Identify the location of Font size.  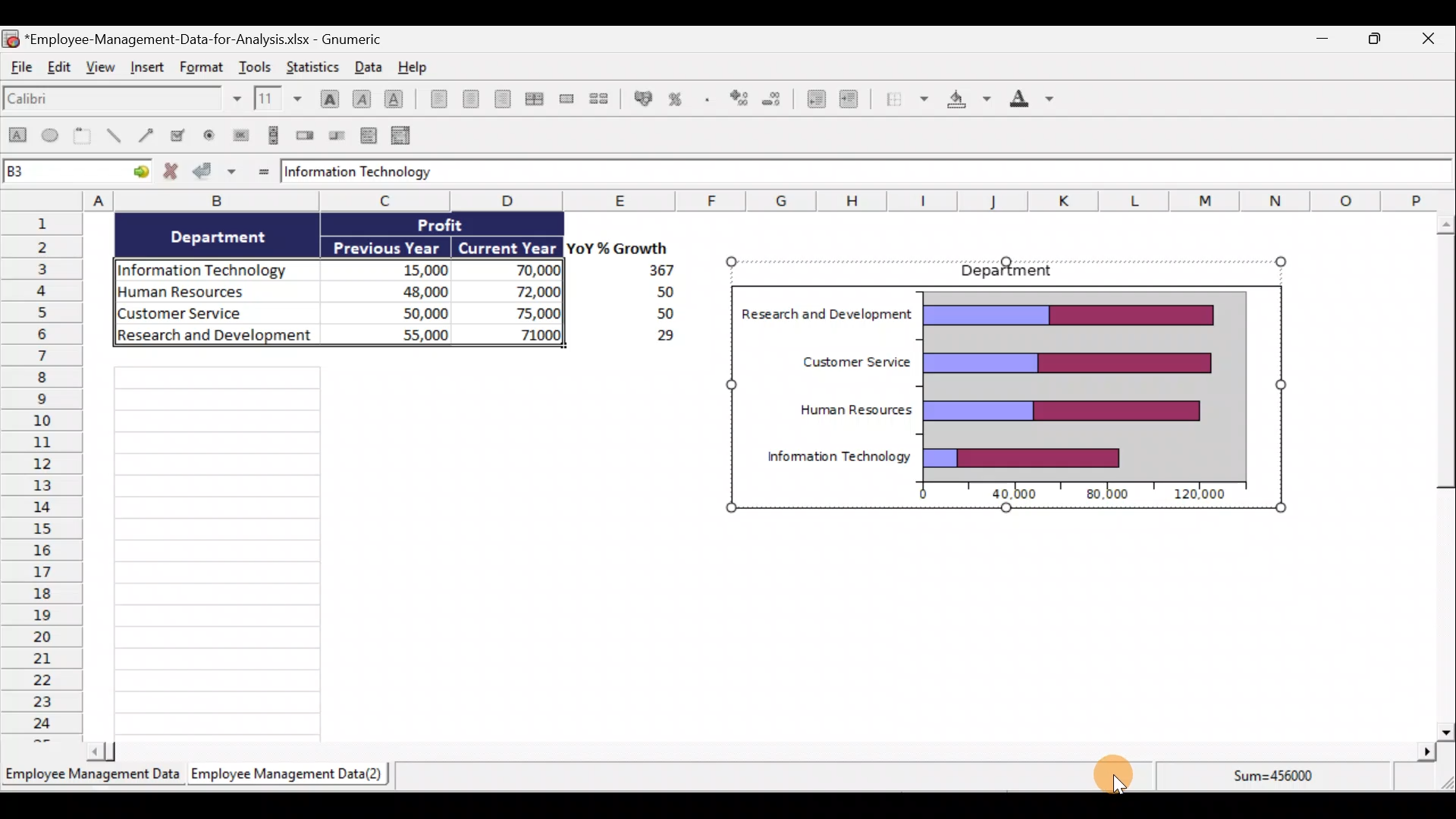
(281, 99).